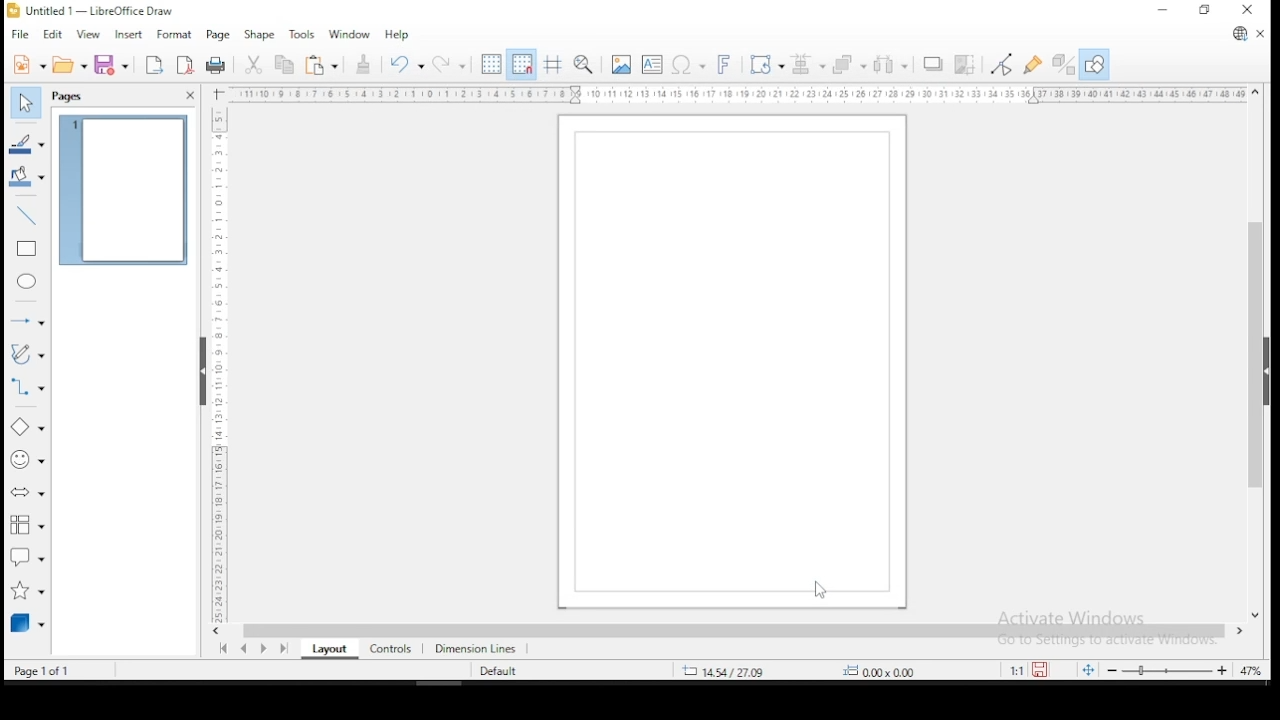  What do you see at coordinates (216, 64) in the screenshot?
I see `Print` at bounding box center [216, 64].